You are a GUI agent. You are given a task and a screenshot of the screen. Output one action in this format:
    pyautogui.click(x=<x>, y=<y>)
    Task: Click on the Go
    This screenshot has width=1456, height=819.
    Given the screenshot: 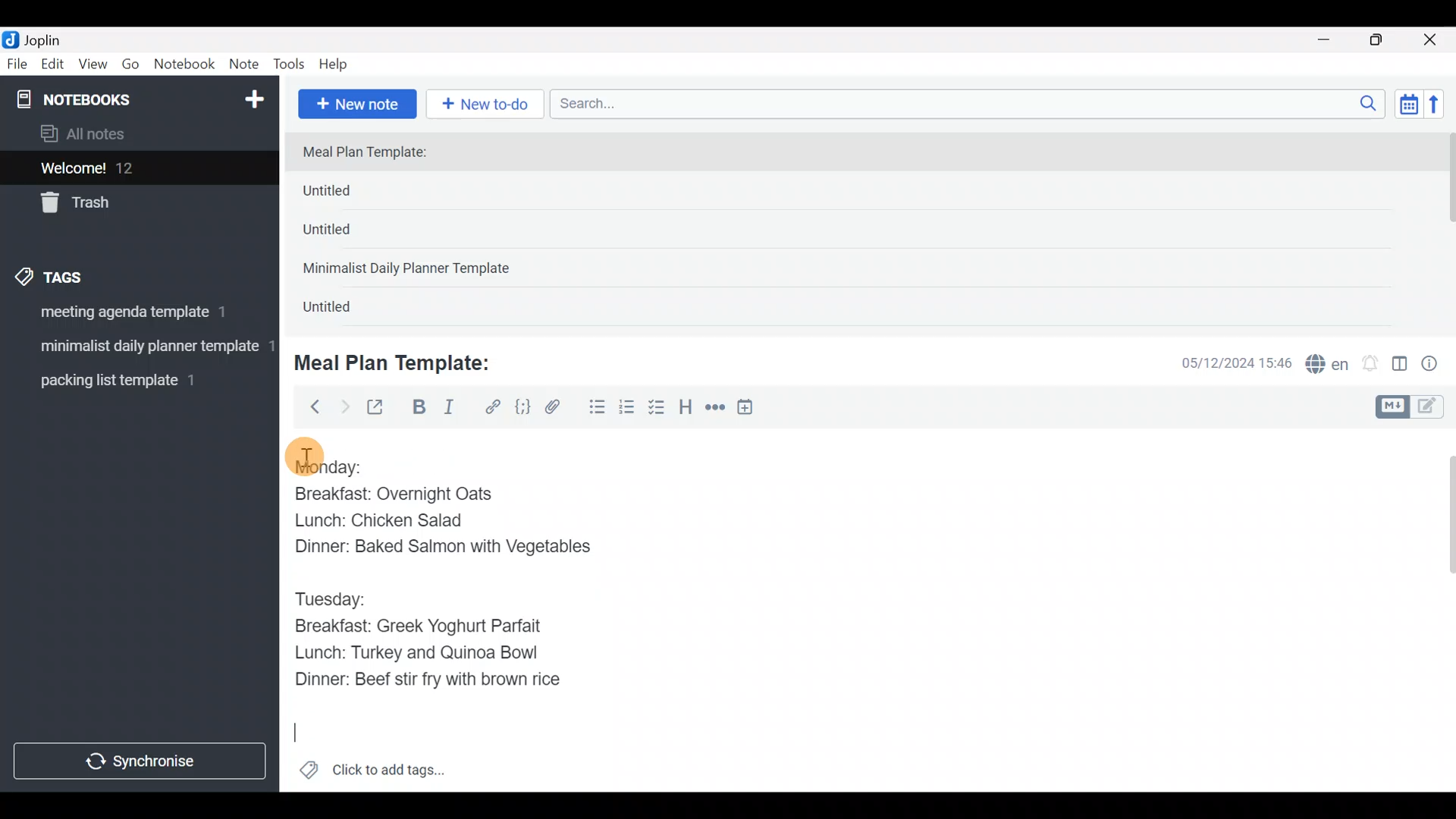 What is the action you would take?
    pyautogui.click(x=130, y=67)
    